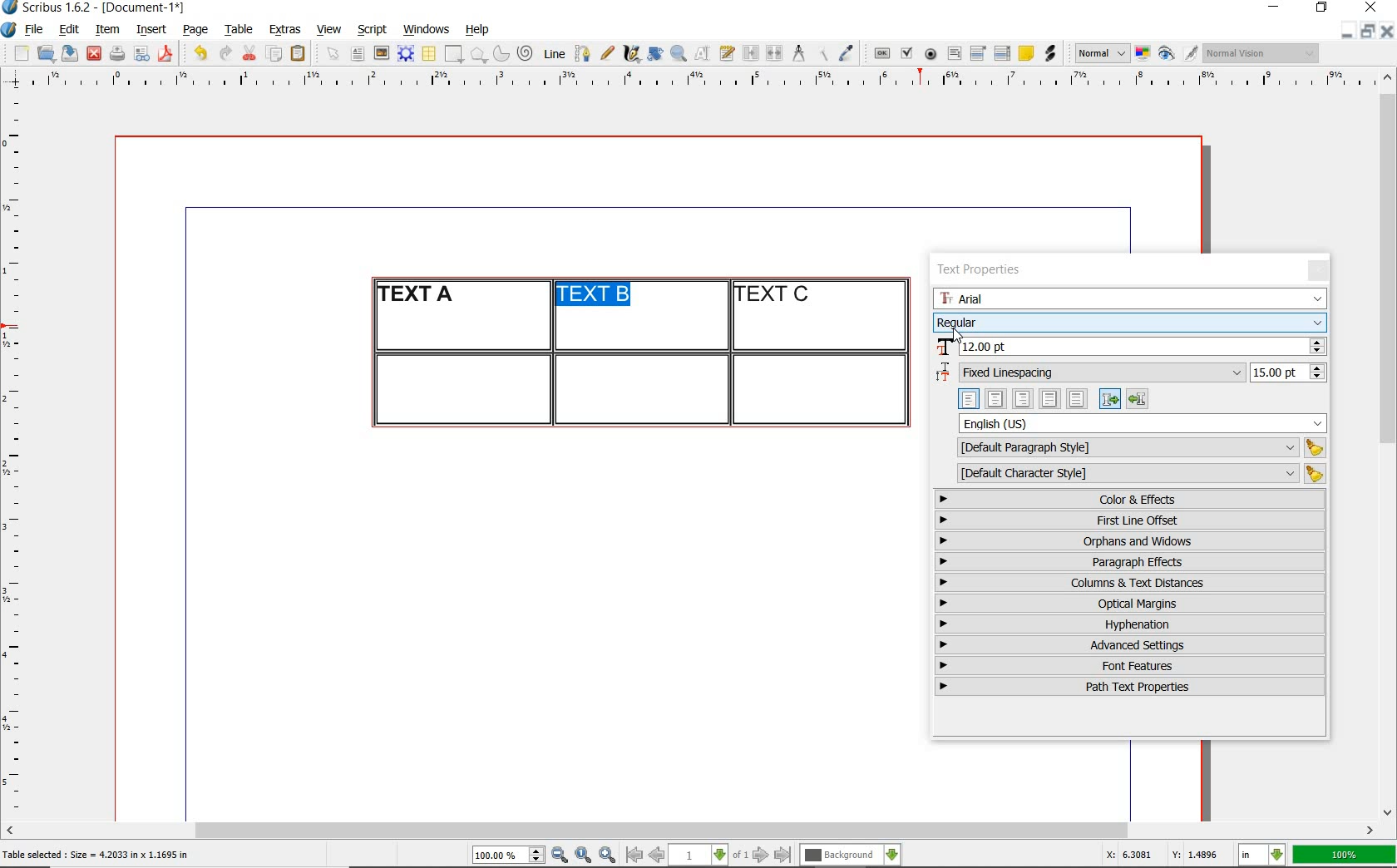 The height and width of the screenshot is (868, 1397). Describe the element at coordinates (846, 55) in the screenshot. I see `eye dropper` at that location.